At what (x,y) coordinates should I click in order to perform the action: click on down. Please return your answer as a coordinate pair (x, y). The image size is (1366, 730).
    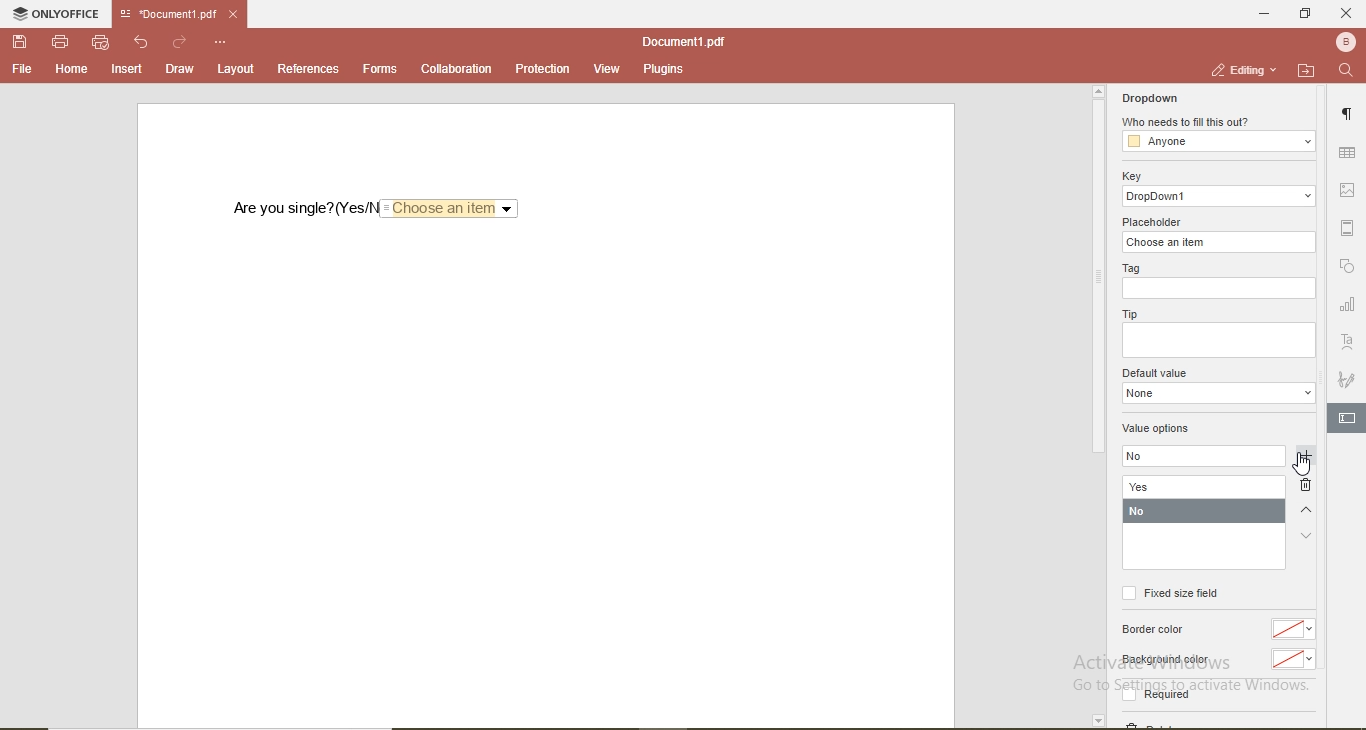
    Looking at the image, I should click on (1304, 541).